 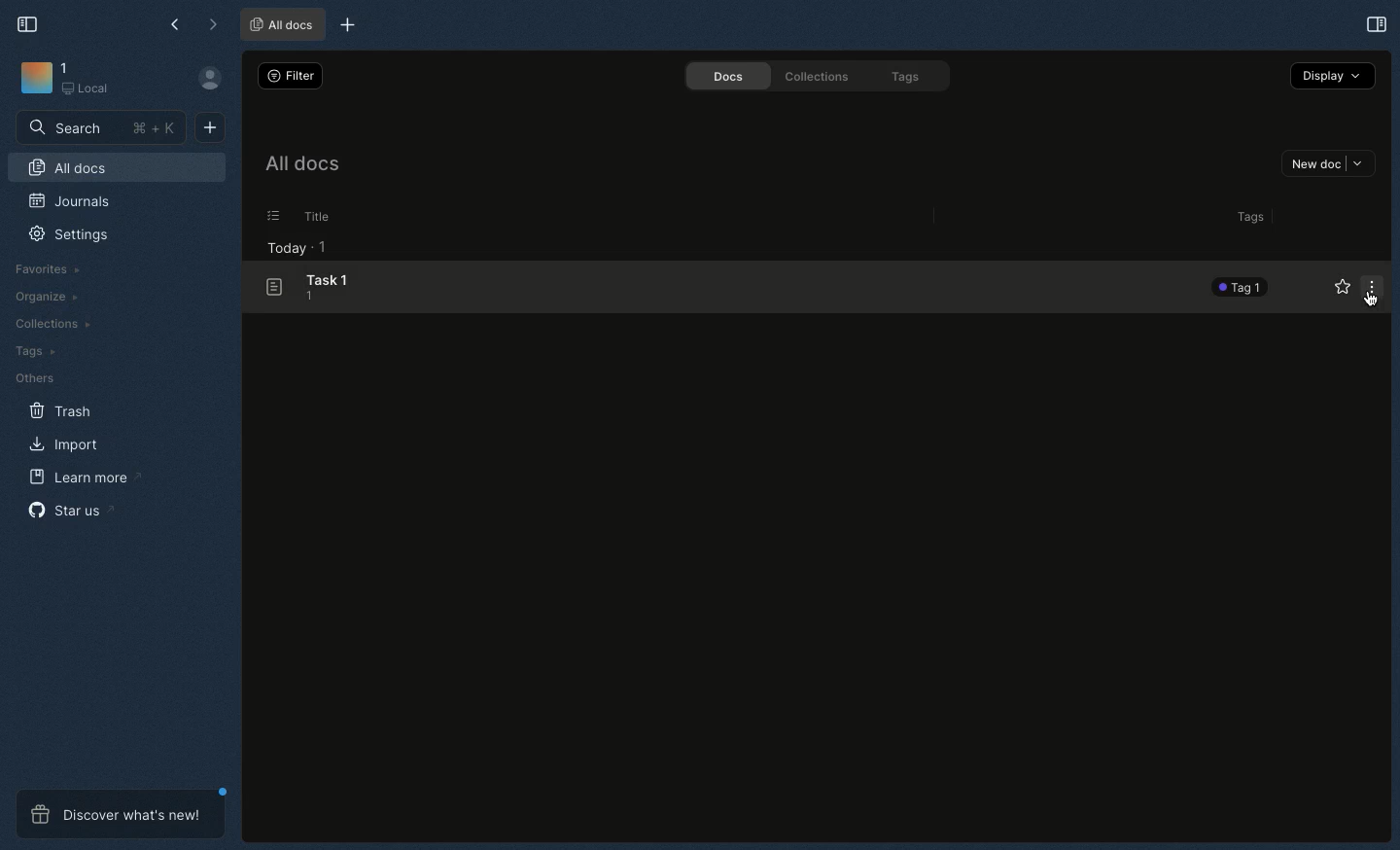 What do you see at coordinates (174, 21) in the screenshot?
I see `Back` at bounding box center [174, 21].